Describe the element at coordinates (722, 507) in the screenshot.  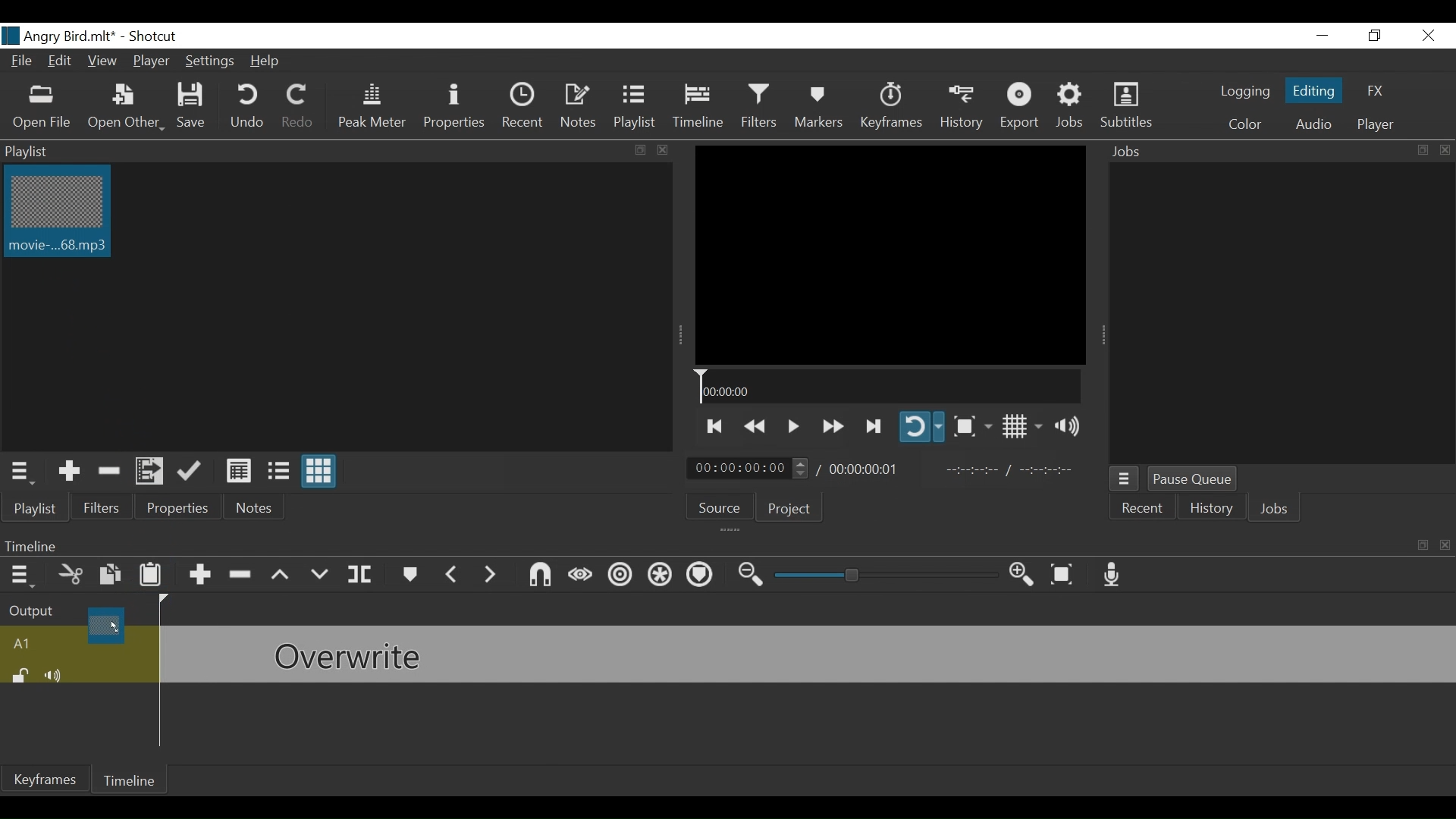
I see `Source` at that location.